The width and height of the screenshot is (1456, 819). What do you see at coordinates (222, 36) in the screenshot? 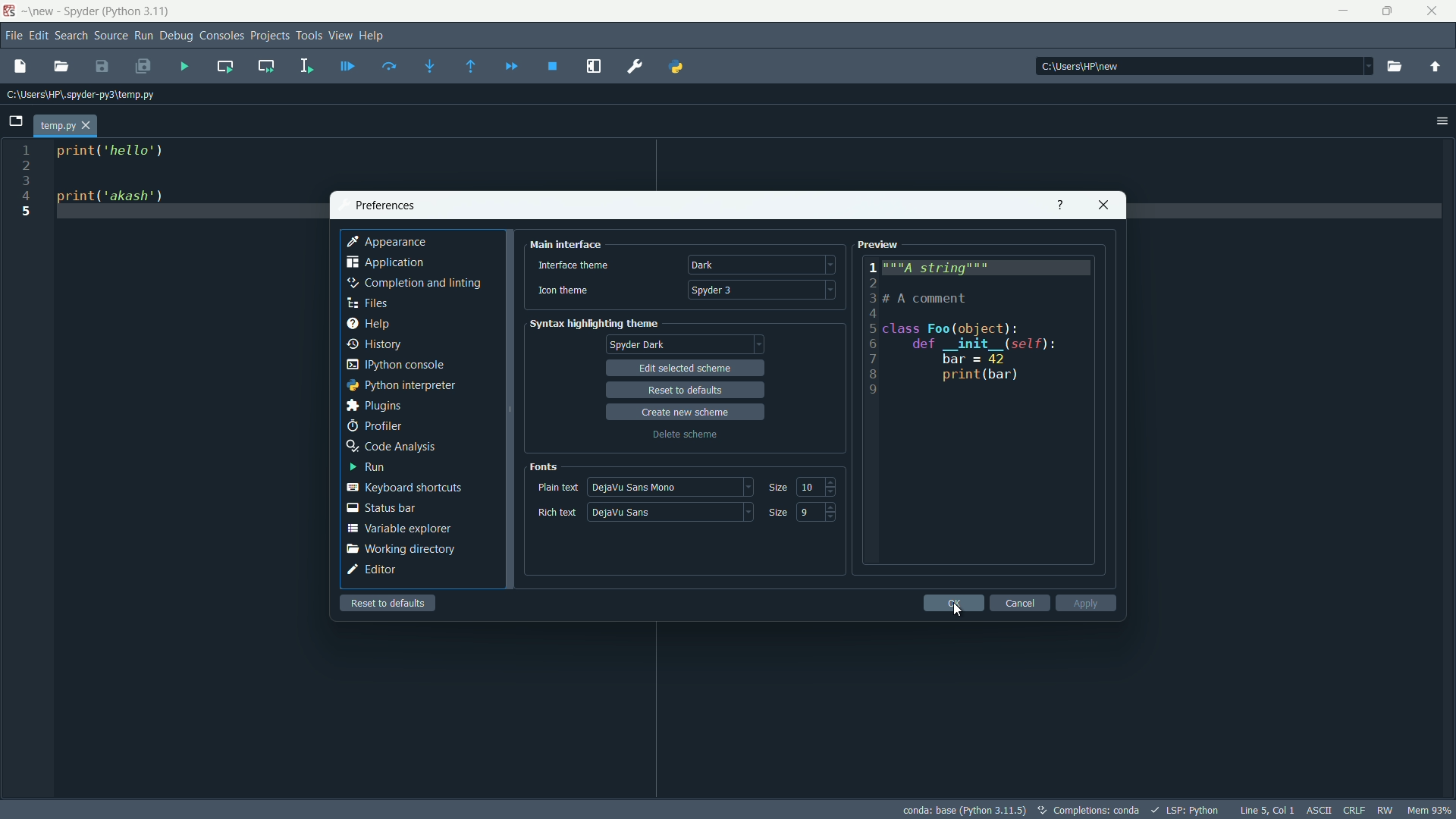
I see `consoles menu` at bounding box center [222, 36].